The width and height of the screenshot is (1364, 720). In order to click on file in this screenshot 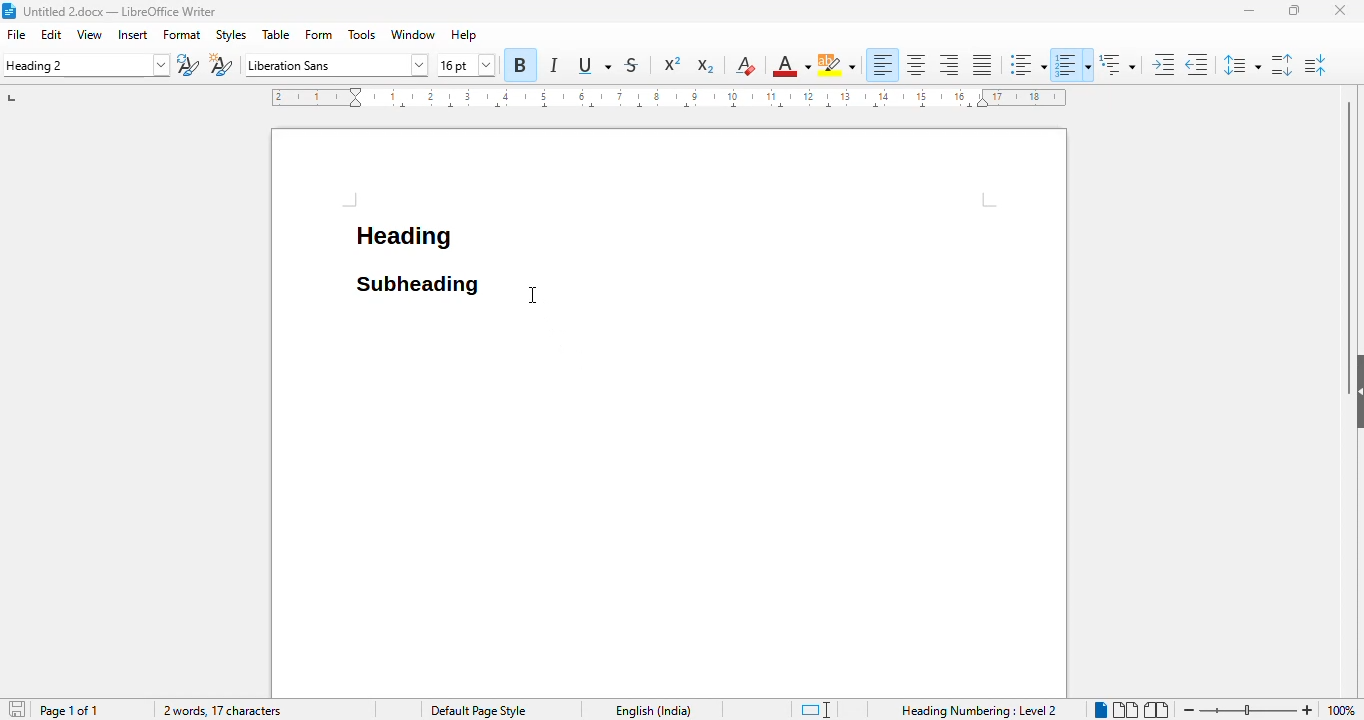, I will do `click(15, 35)`.